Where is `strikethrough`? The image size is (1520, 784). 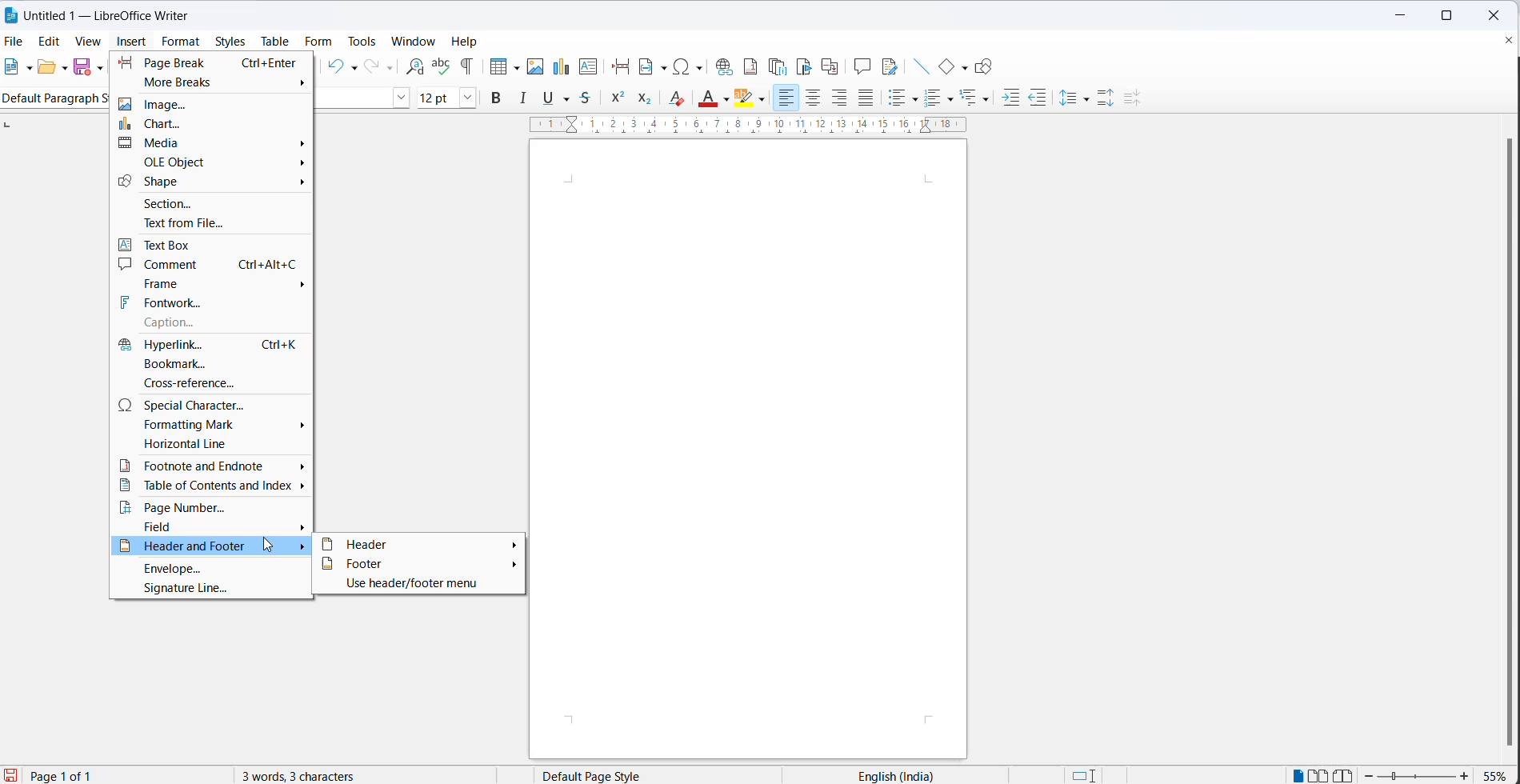 strikethrough is located at coordinates (590, 98).